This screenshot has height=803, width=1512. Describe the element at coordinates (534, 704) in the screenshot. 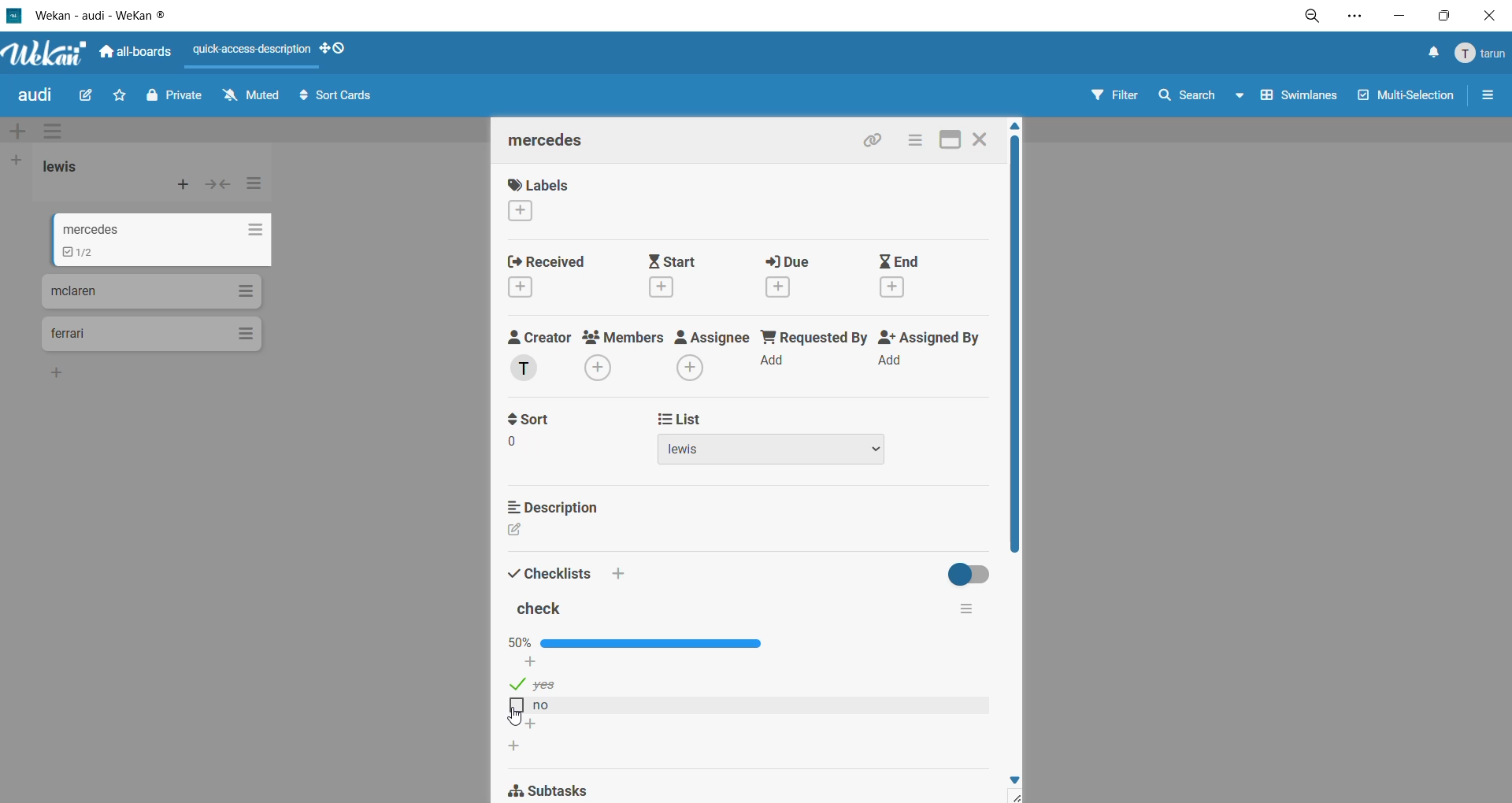

I see `checklist option` at that location.